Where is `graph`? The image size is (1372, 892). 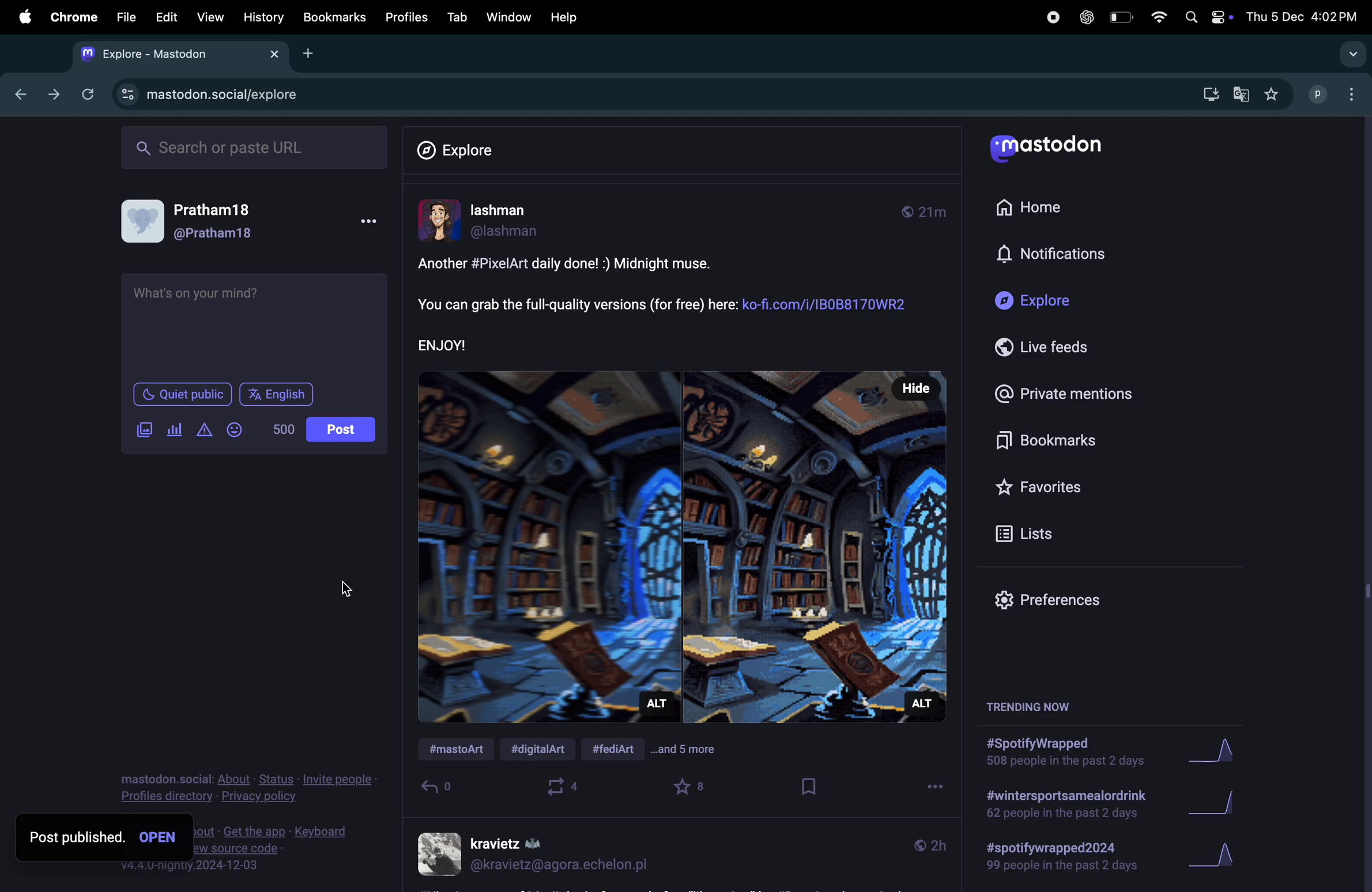 graph is located at coordinates (1217, 754).